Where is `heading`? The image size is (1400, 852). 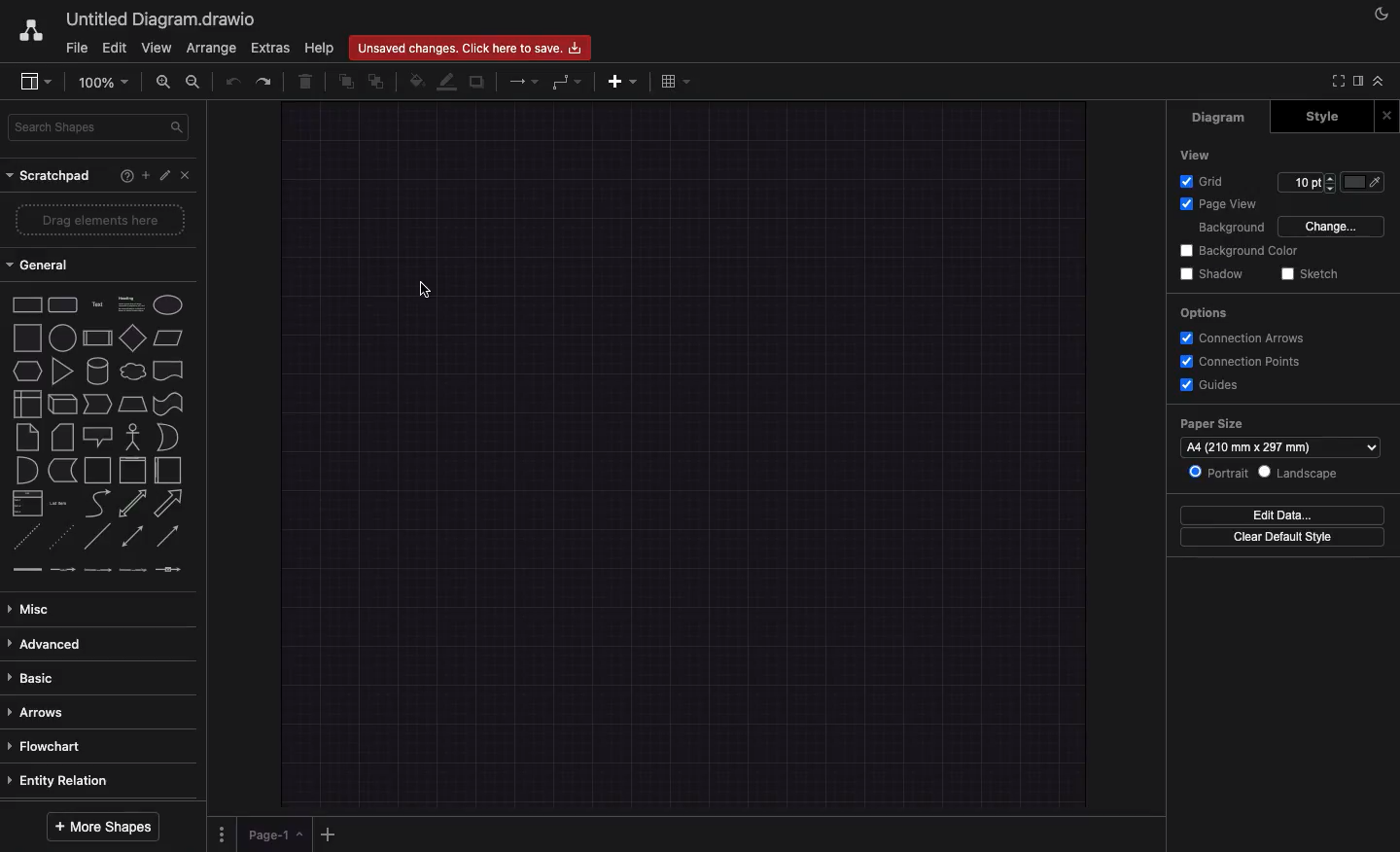
heading is located at coordinates (130, 306).